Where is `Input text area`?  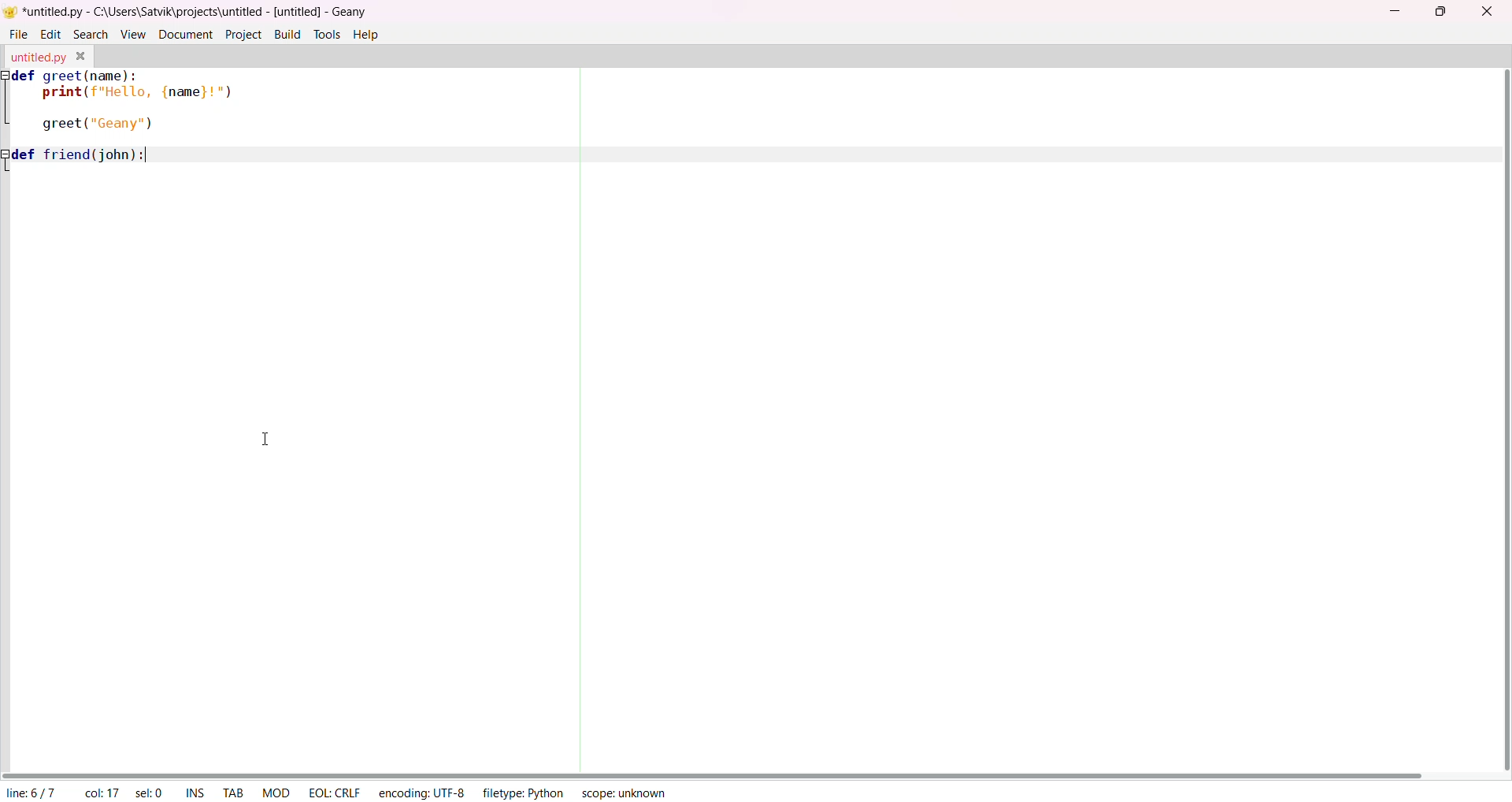
Input text area is located at coordinates (282, 470).